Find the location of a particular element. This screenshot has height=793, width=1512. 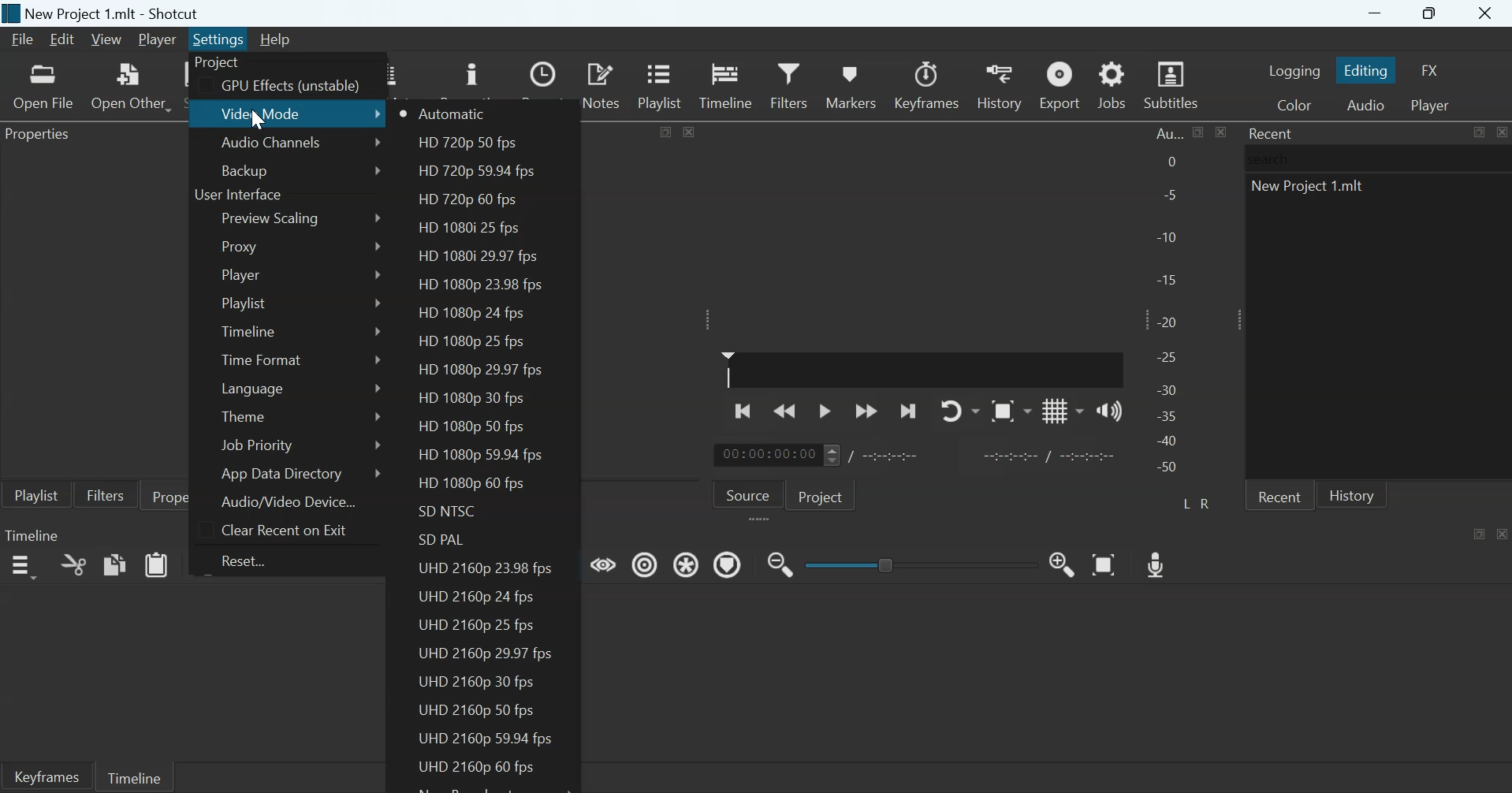

HD 1080p 50fps is located at coordinates (471, 427).